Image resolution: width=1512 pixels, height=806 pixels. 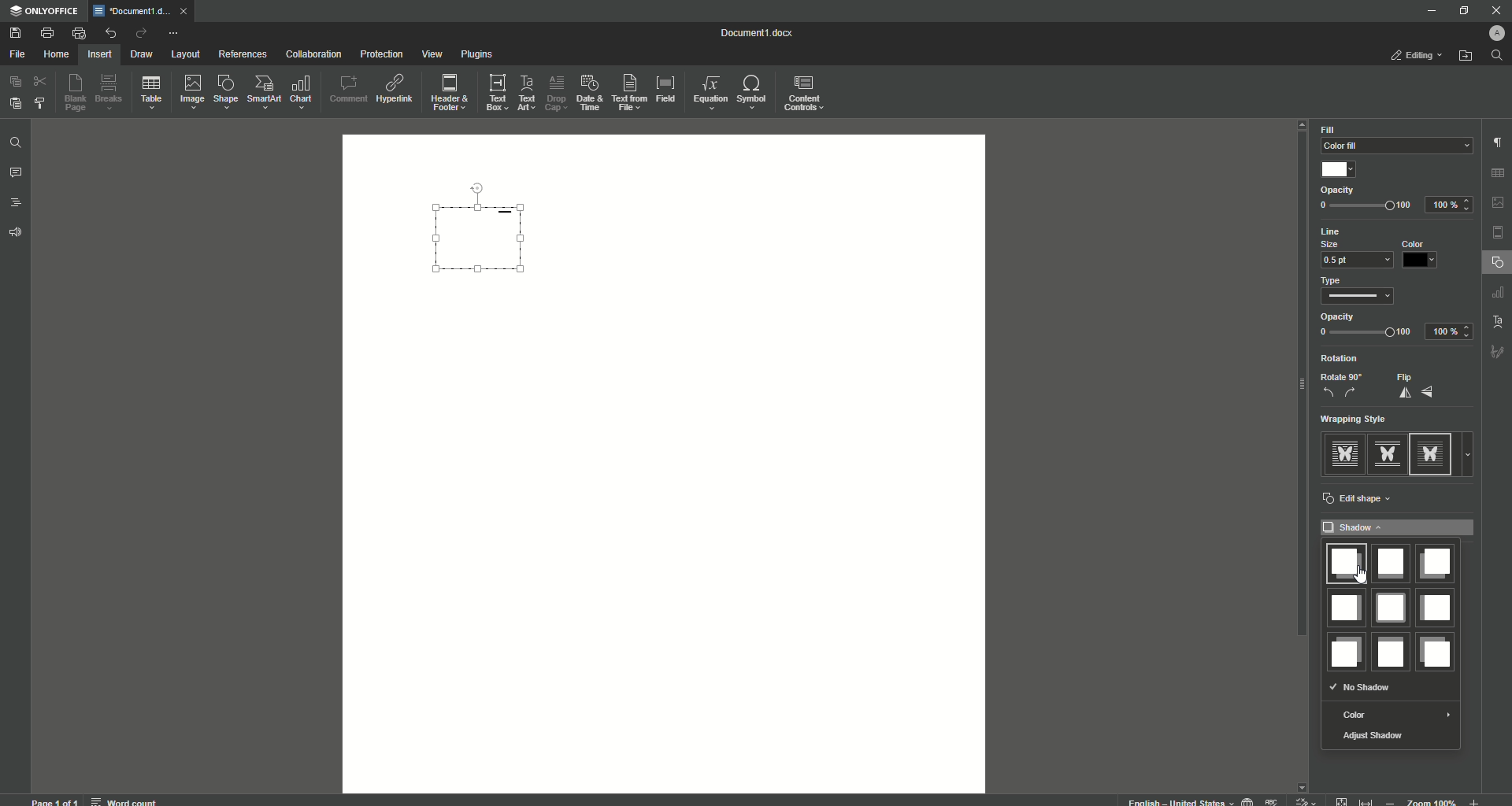 I want to click on Opacity, so click(x=1339, y=191).